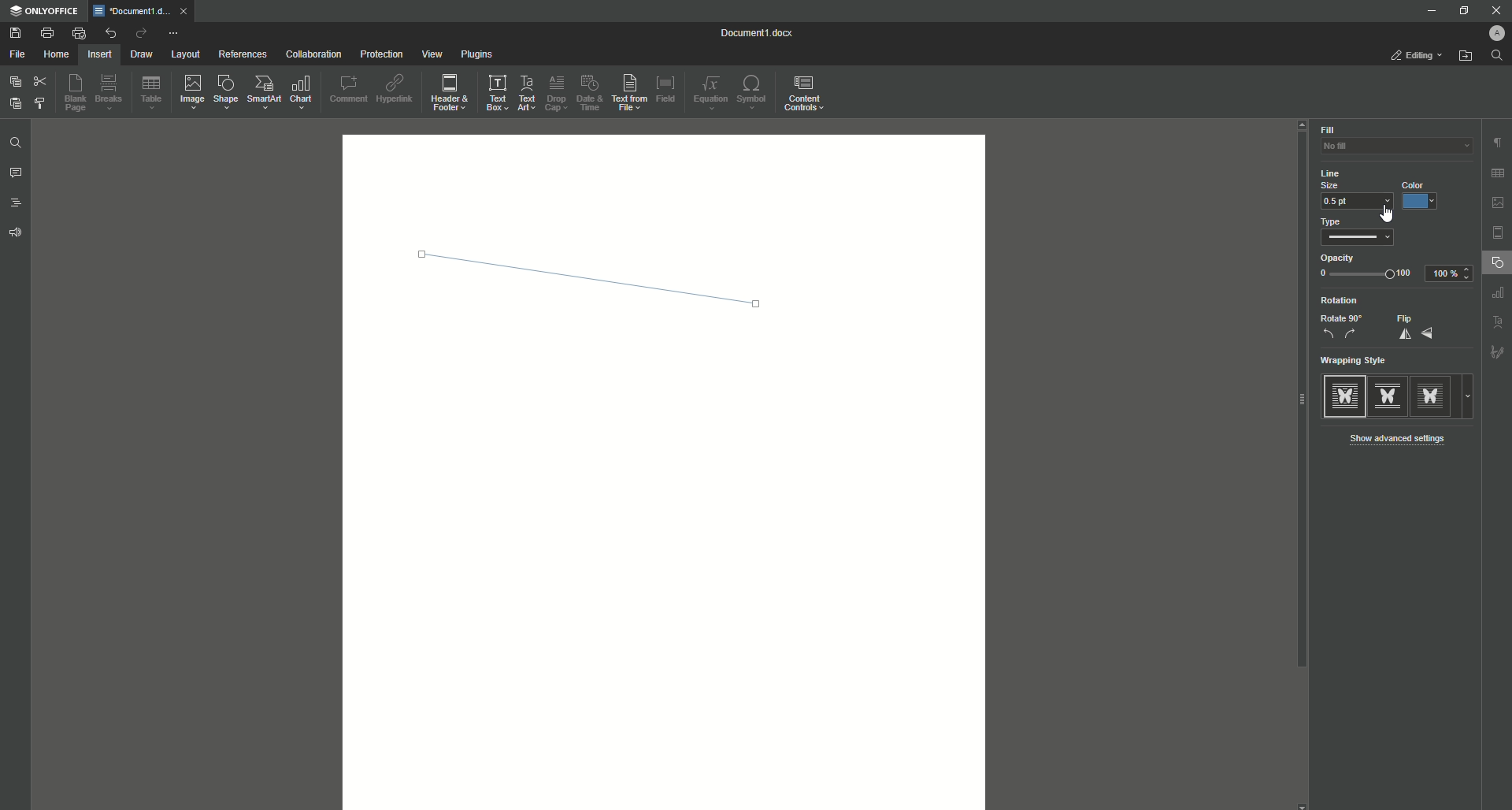 The height and width of the screenshot is (810, 1512). Describe the element at coordinates (1403, 438) in the screenshot. I see `Show Advanced Settings` at that location.